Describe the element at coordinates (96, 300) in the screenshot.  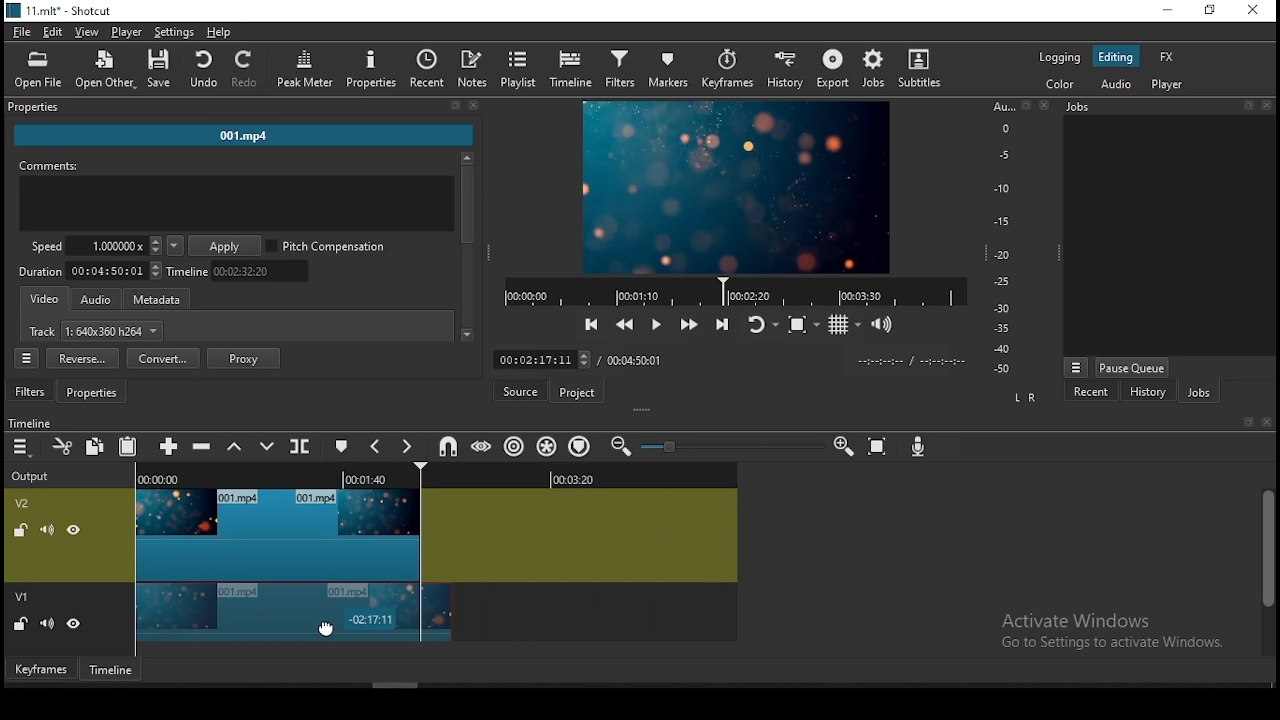
I see `audio` at that location.